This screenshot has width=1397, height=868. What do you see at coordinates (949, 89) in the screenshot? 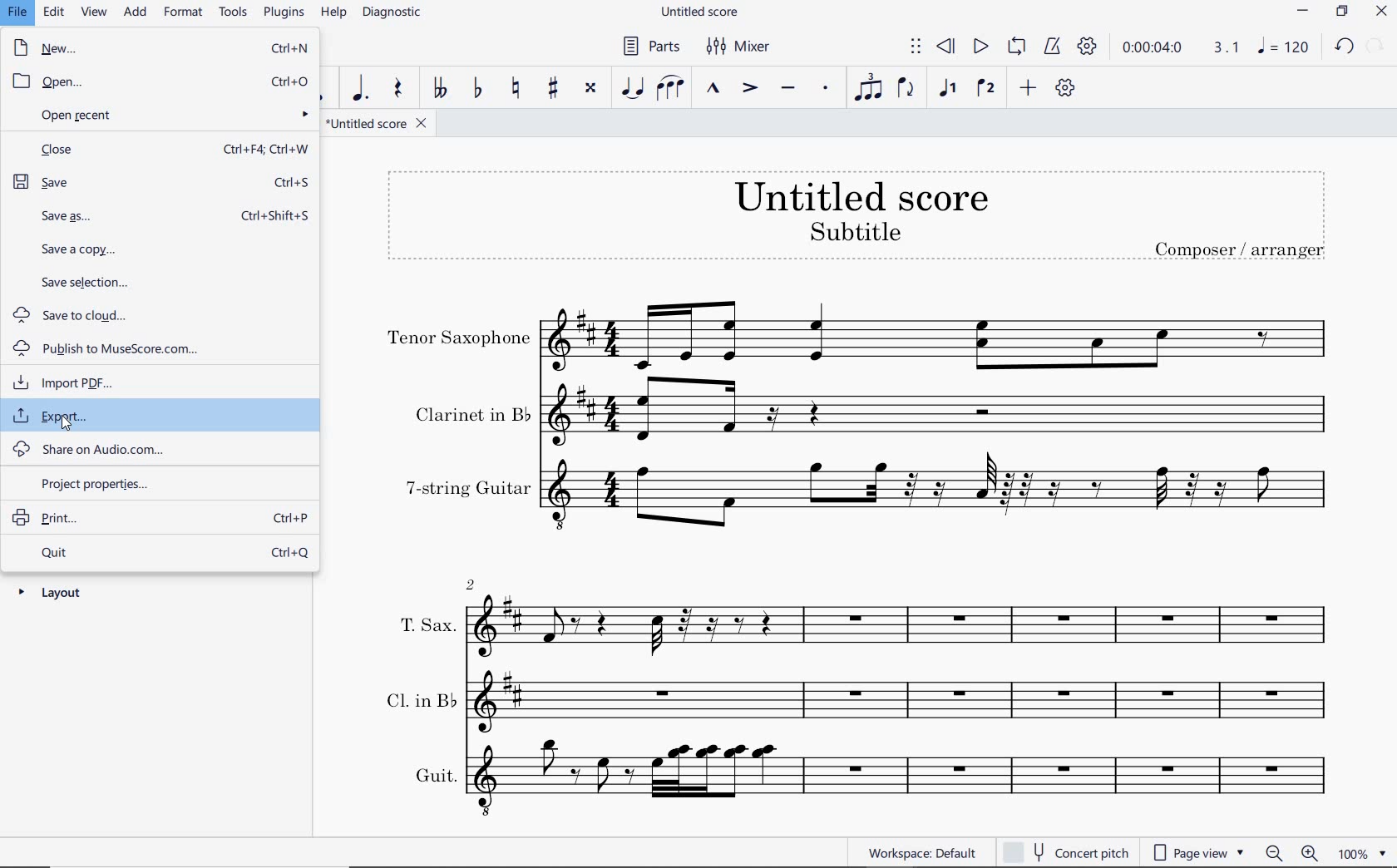
I see `VOICE 1` at bounding box center [949, 89].